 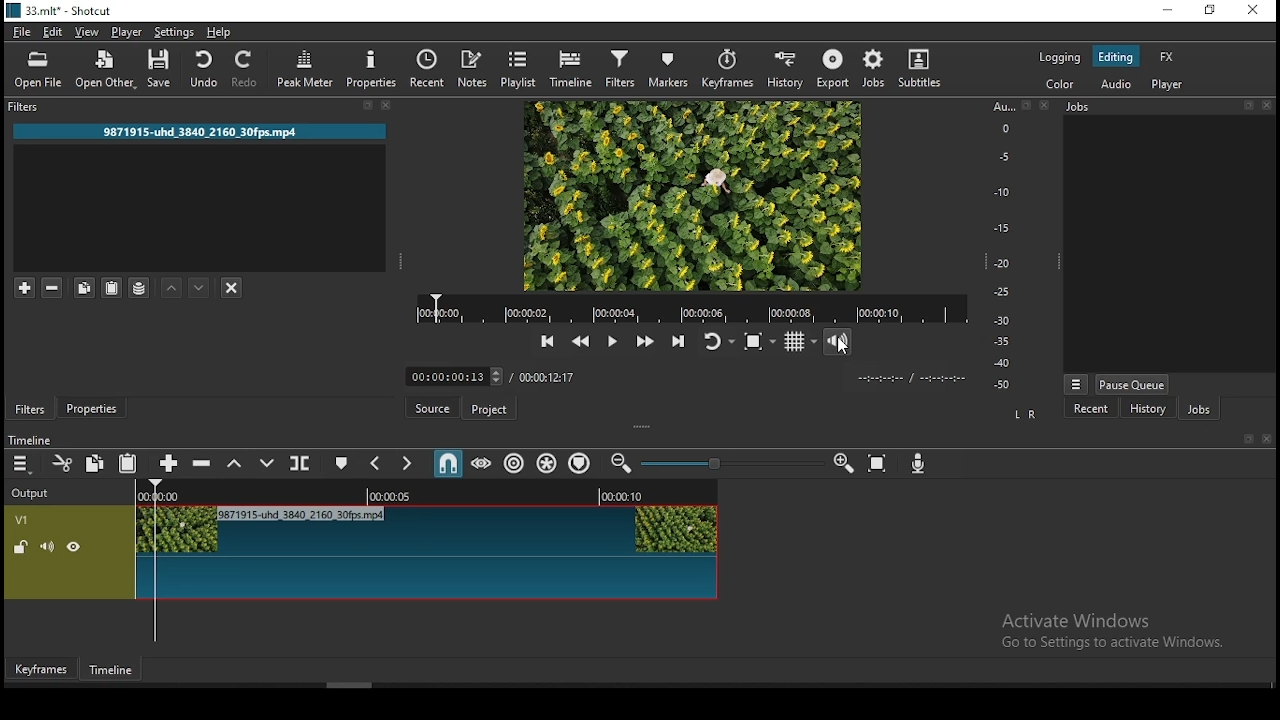 I want to click on bookmark, so click(x=364, y=105).